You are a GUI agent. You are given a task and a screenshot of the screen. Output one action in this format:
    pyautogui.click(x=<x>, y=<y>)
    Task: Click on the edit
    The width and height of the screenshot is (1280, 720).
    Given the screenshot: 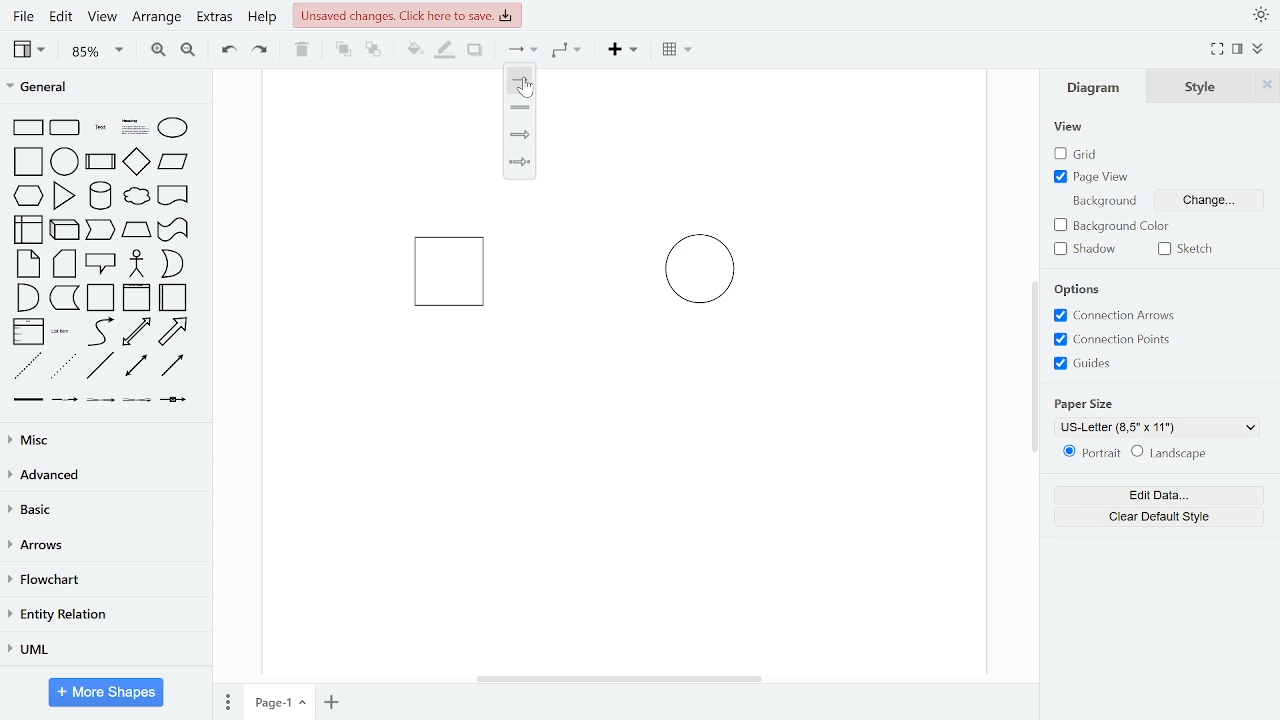 What is the action you would take?
    pyautogui.click(x=60, y=18)
    